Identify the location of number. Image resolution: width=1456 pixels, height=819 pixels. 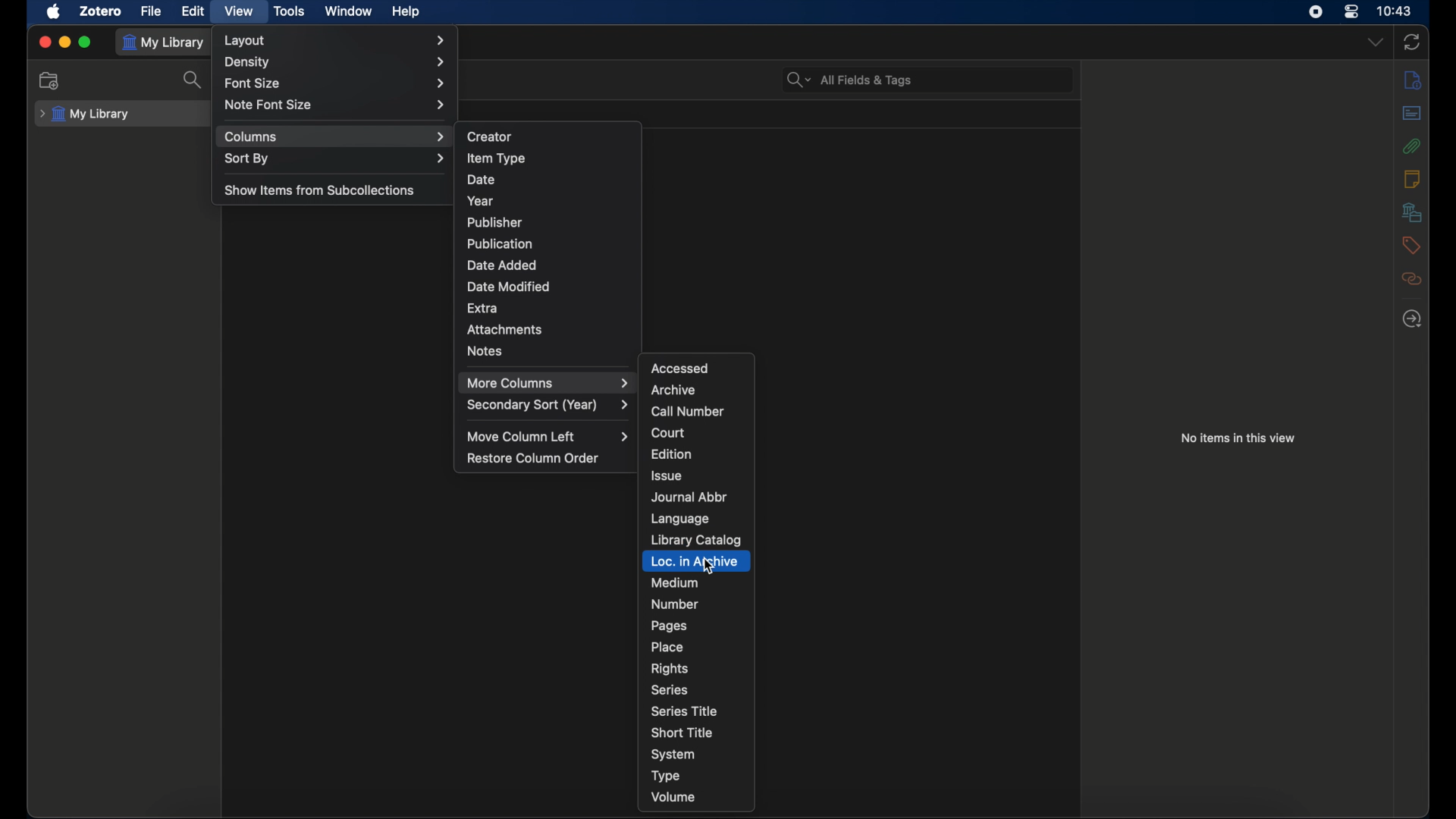
(674, 604).